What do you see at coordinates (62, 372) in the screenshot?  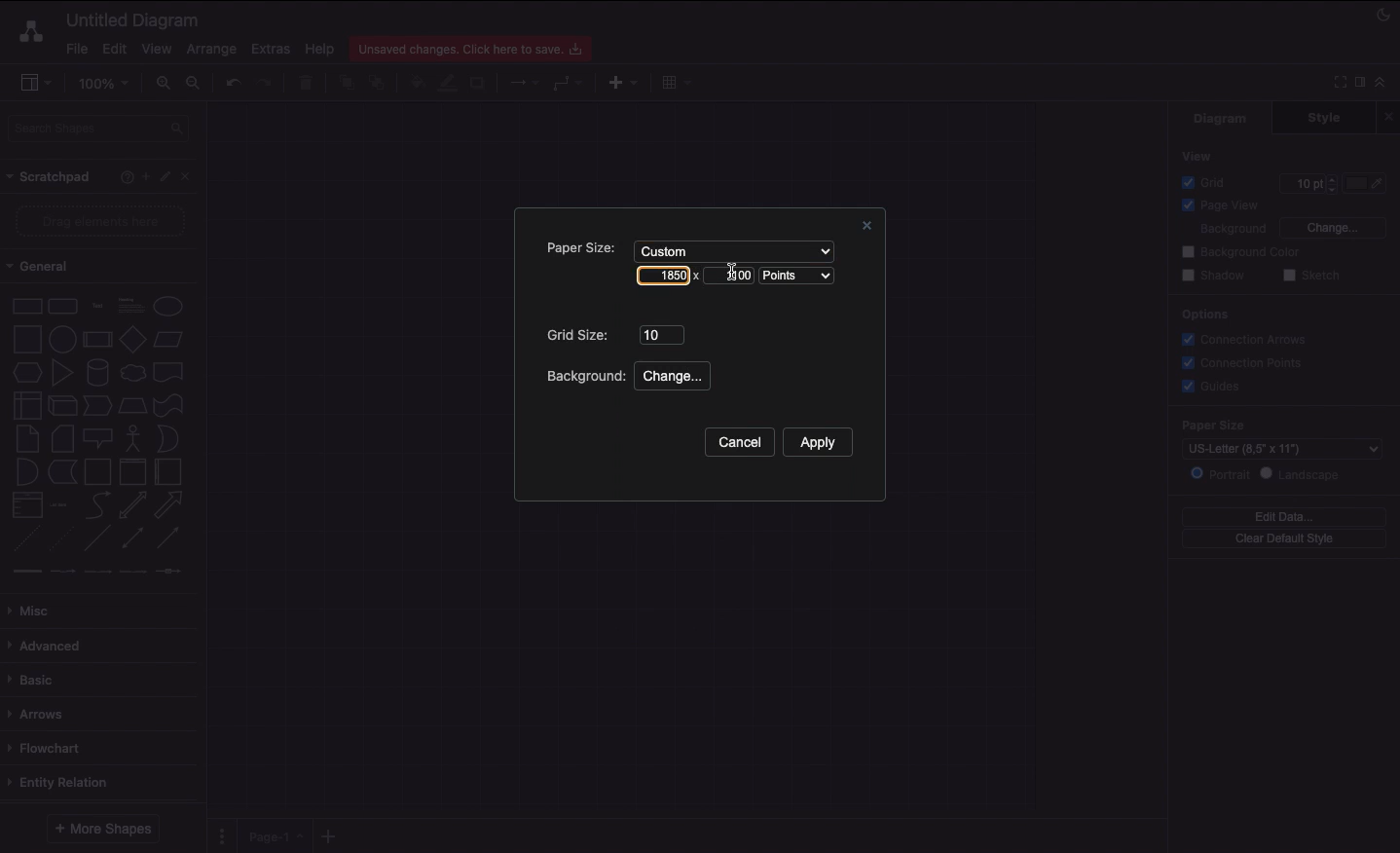 I see `Triangle` at bounding box center [62, 372].